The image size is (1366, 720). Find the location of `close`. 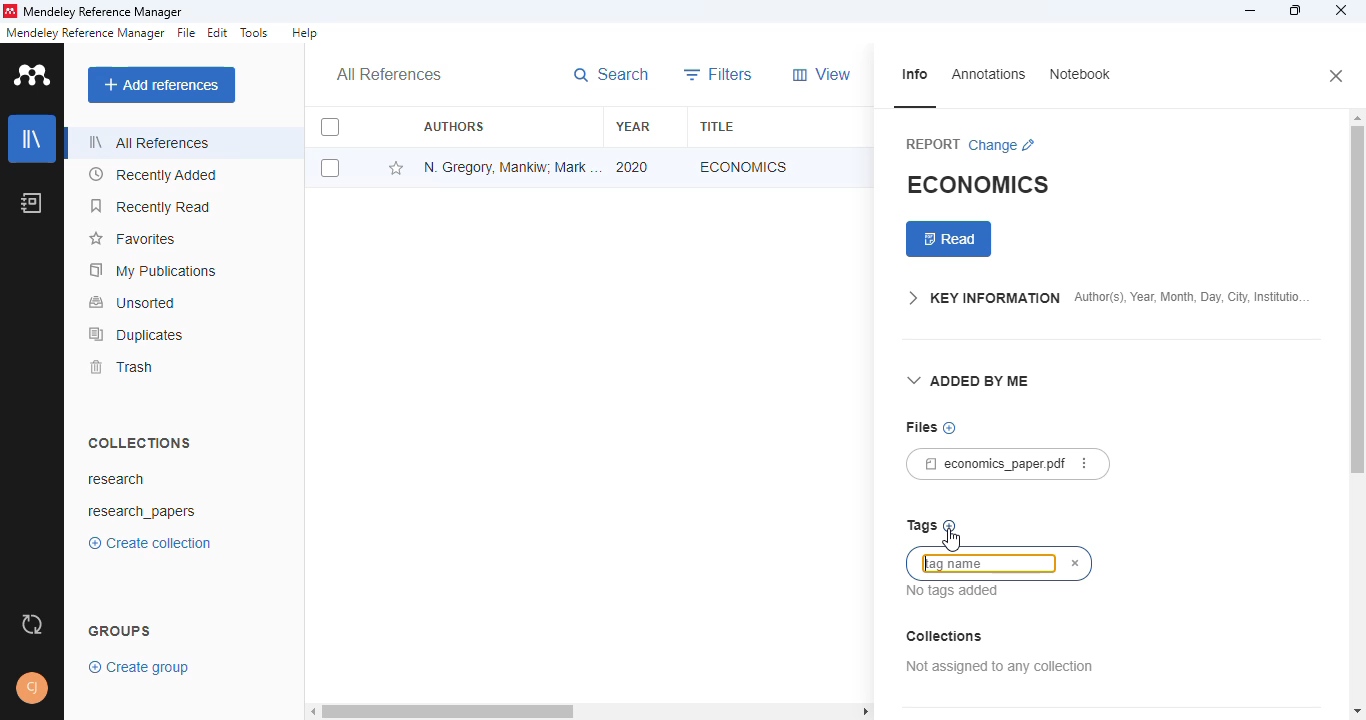

close is located at coordinates (1338, 77).